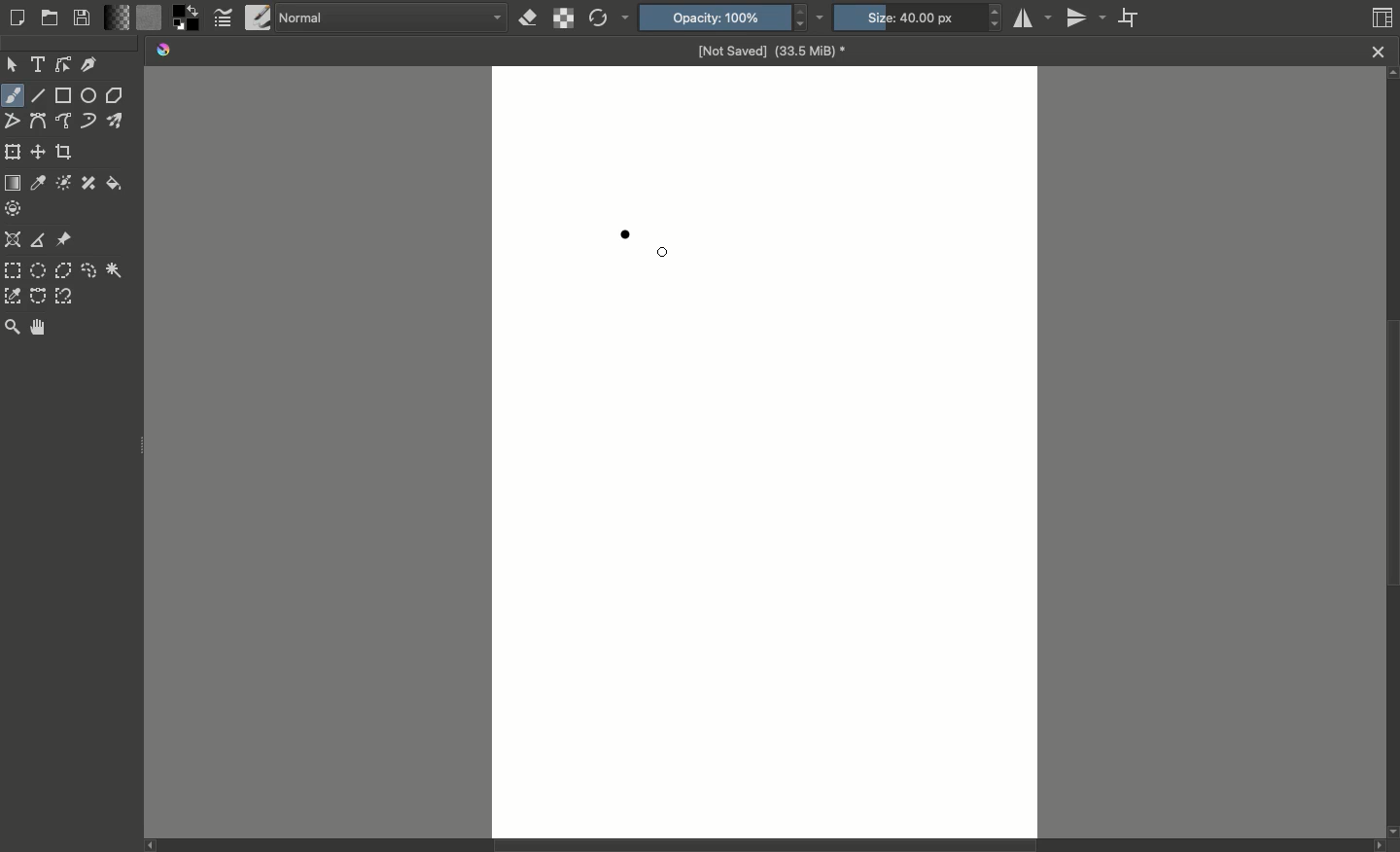 The height and width of the screenshot is (852, 1400). What do you see at coordinates (1391, 830) in the screenshot?
I see `scroll down` at bounding box center [1391, 830].